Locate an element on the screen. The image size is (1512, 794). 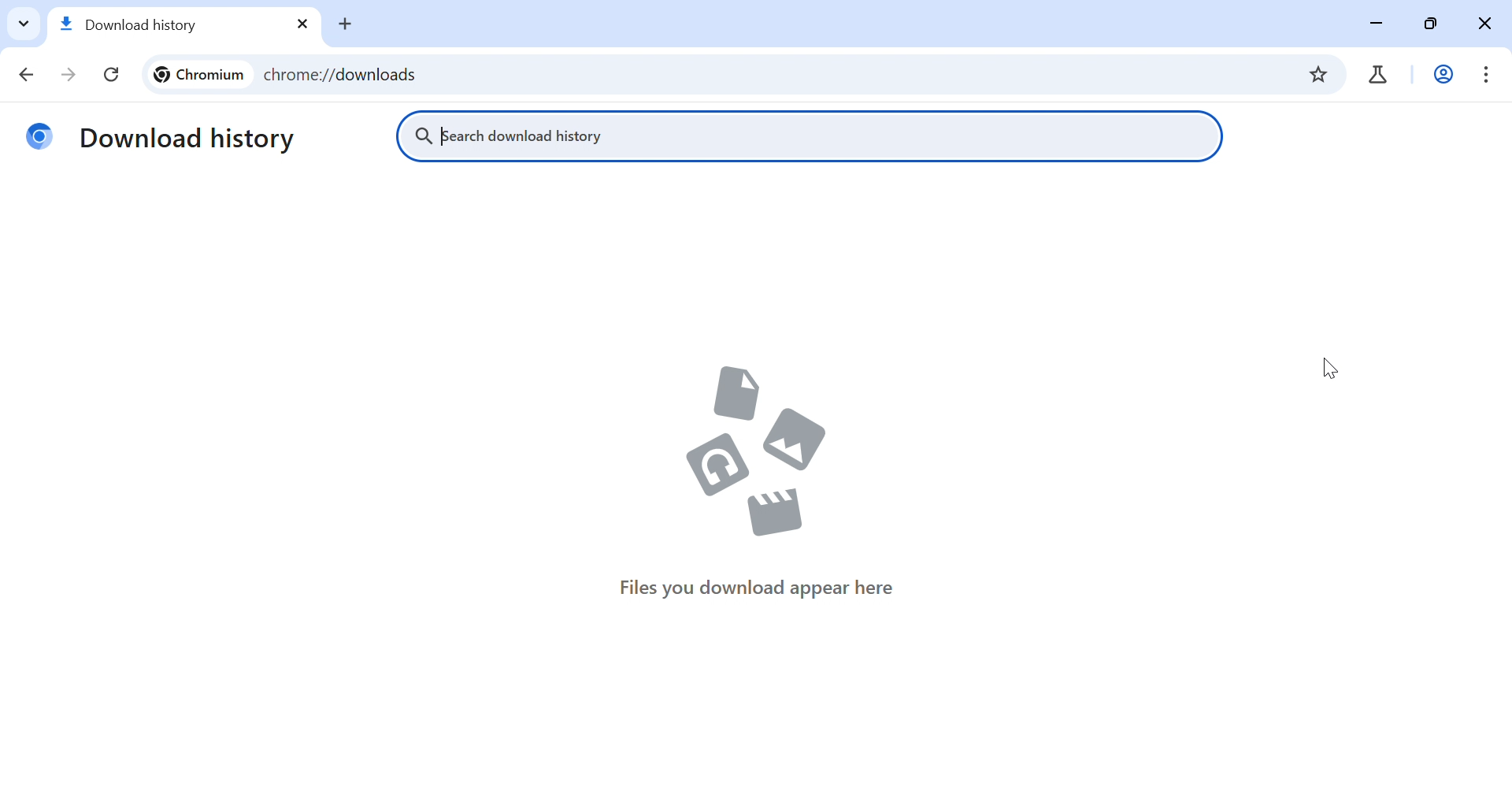
refresh is located at coordinates (115, 76).